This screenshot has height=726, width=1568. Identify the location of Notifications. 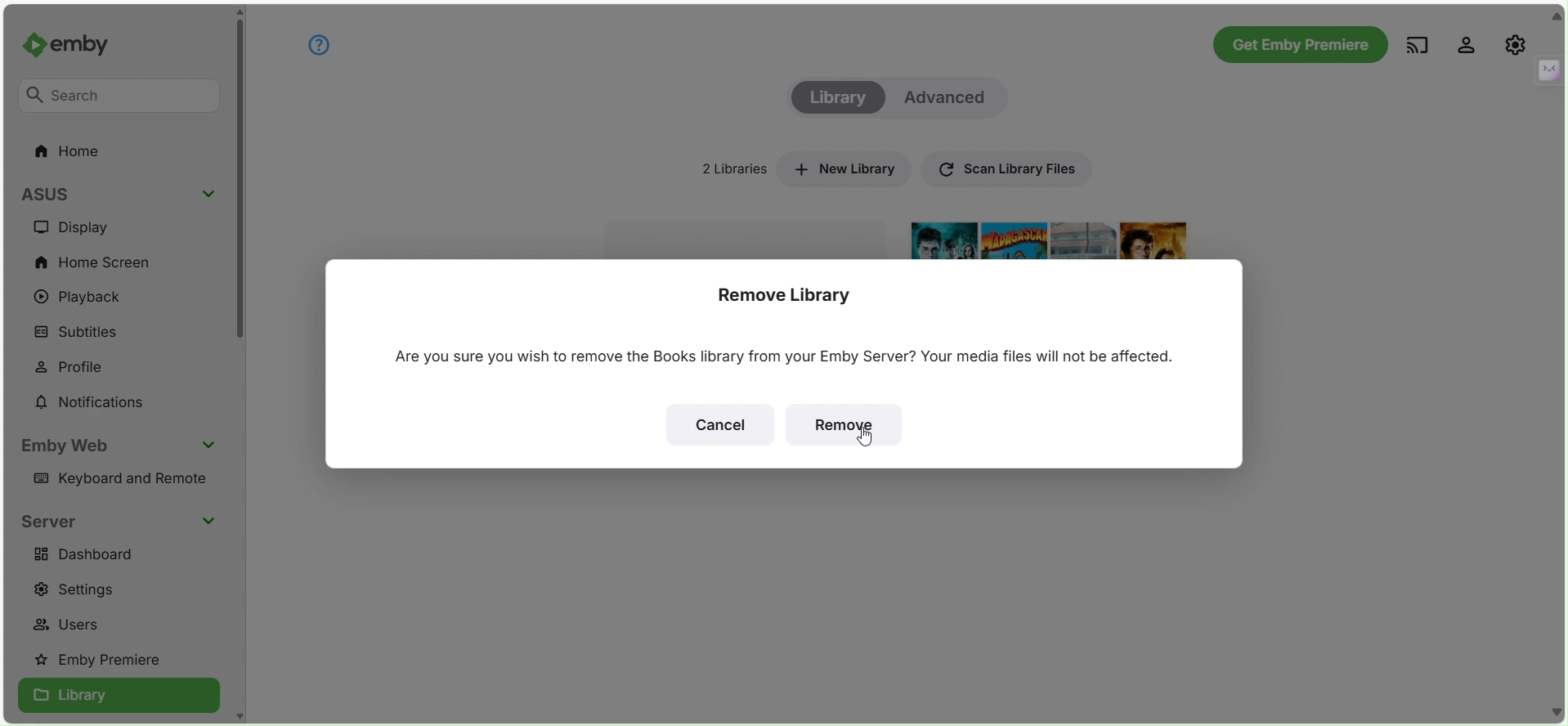
(91, 403).